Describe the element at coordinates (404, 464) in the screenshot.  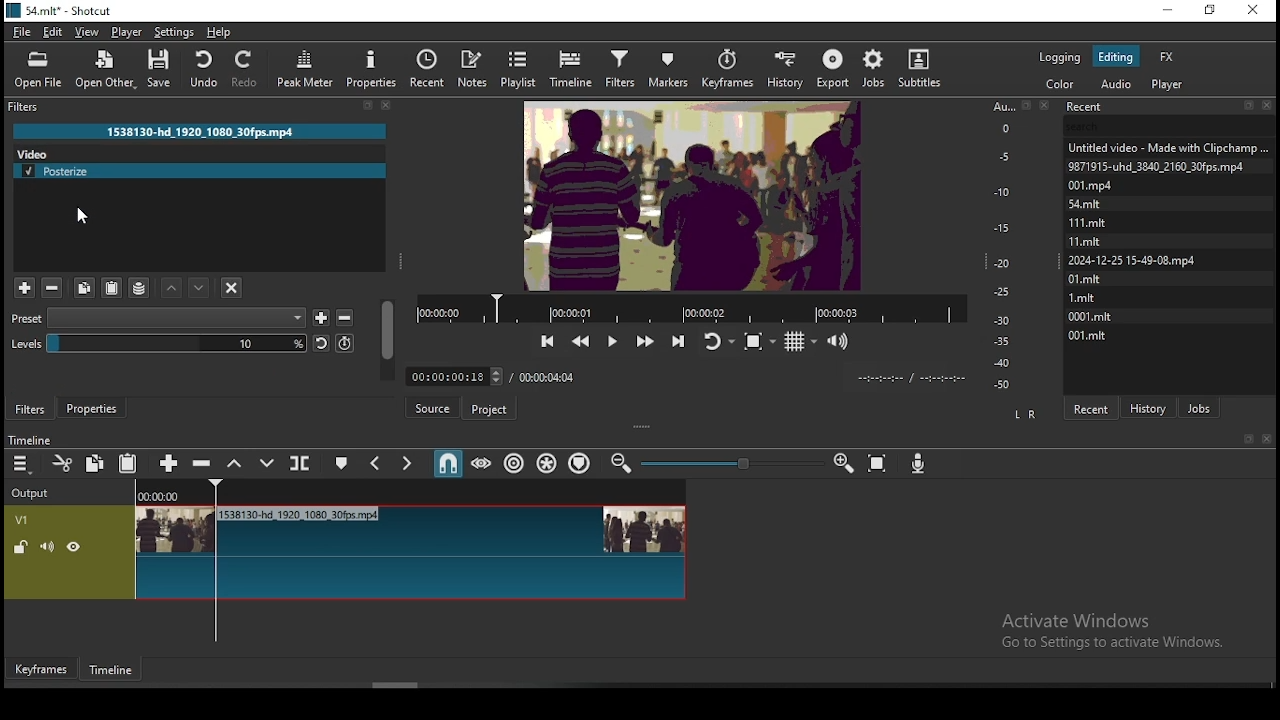
I see `next marker` at that location.